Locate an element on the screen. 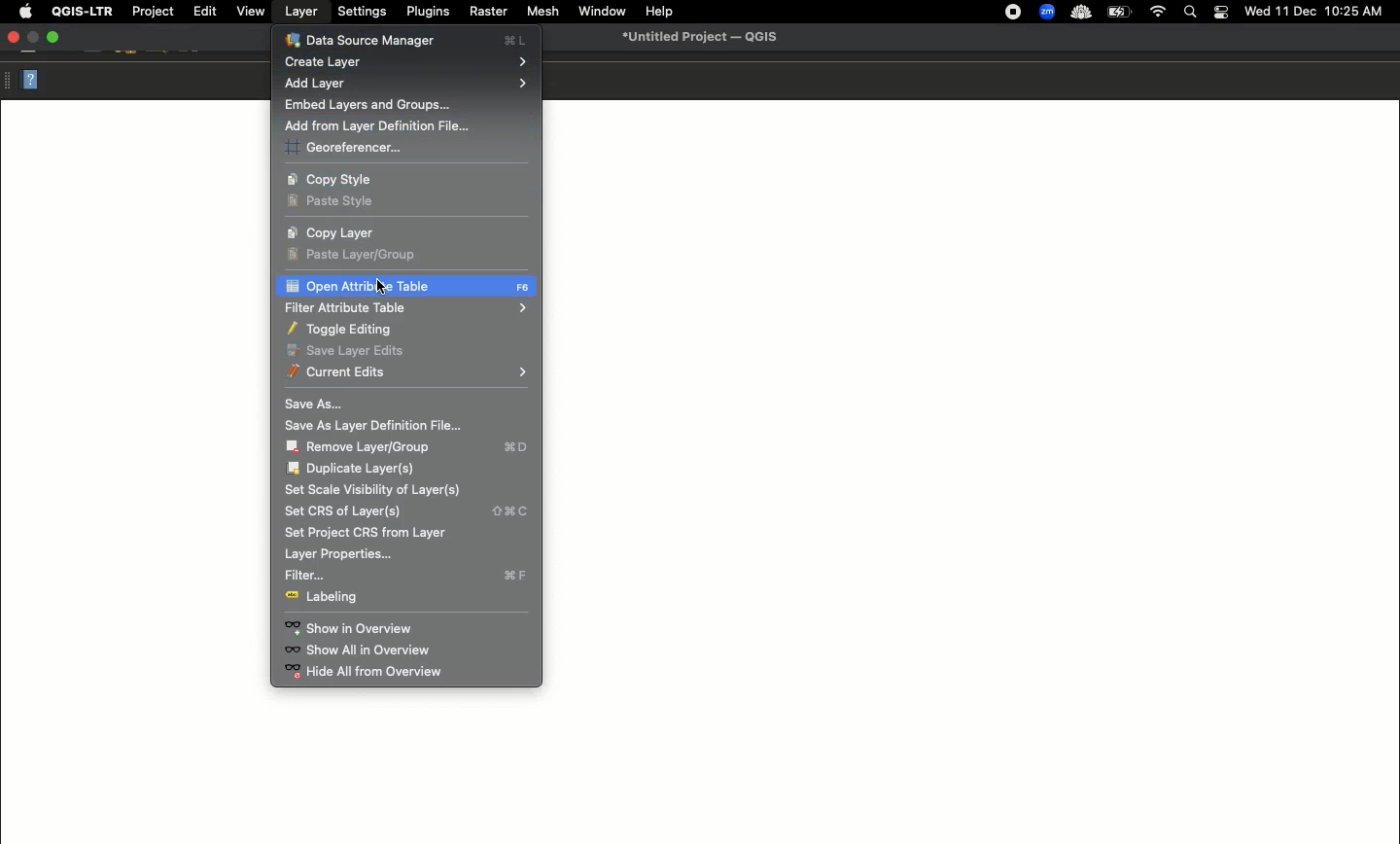 The image size is (1400, 844). Filter is located at coordinates (408, 577).